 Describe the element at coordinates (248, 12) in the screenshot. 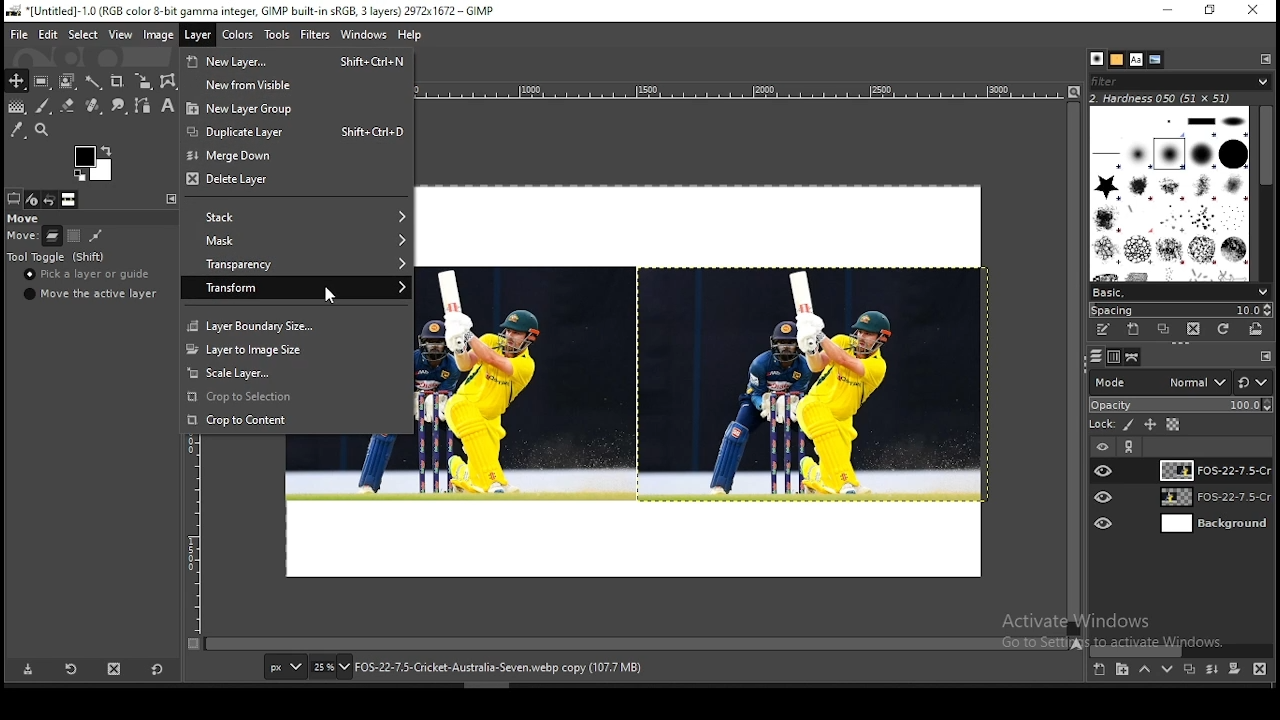

I see `icon and file name` at that location.